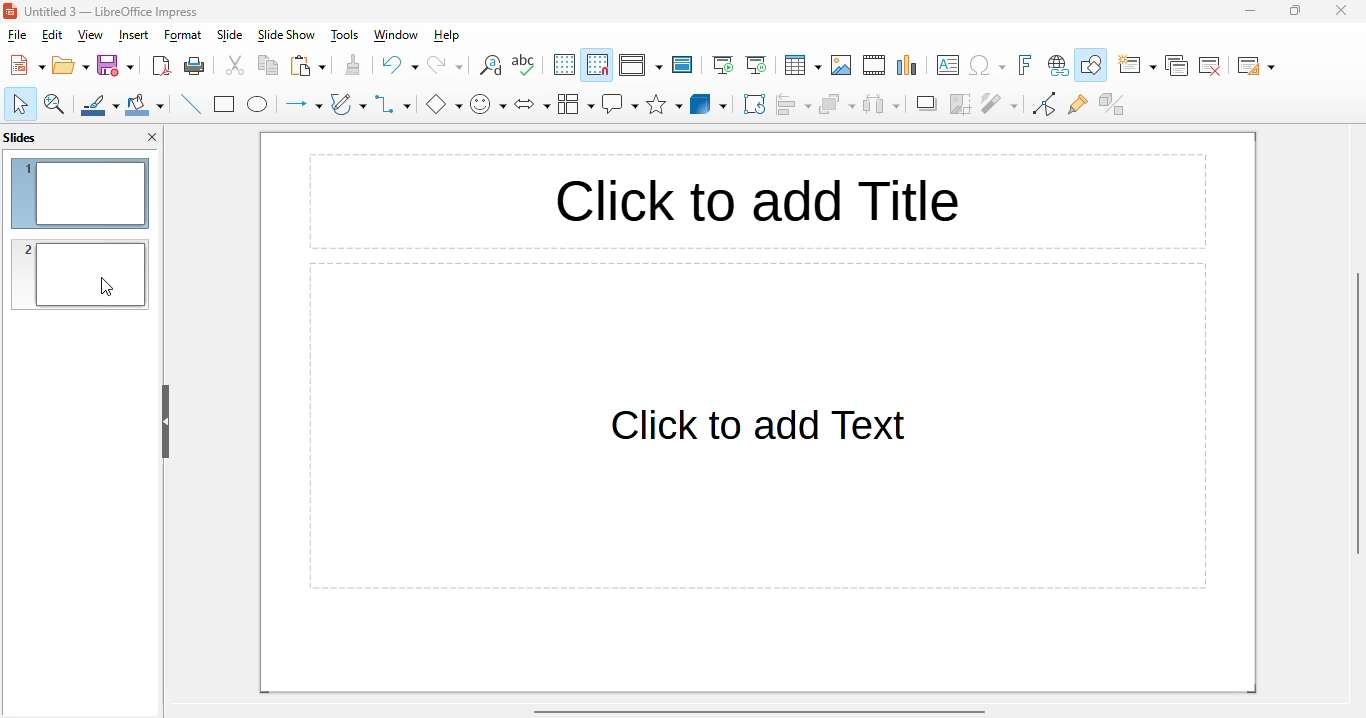 This screenshot has height=718, width=1366. What do you see at coordinates (133, 35) in the screenshot?
I see `insert` at bounding box center [133, 35].